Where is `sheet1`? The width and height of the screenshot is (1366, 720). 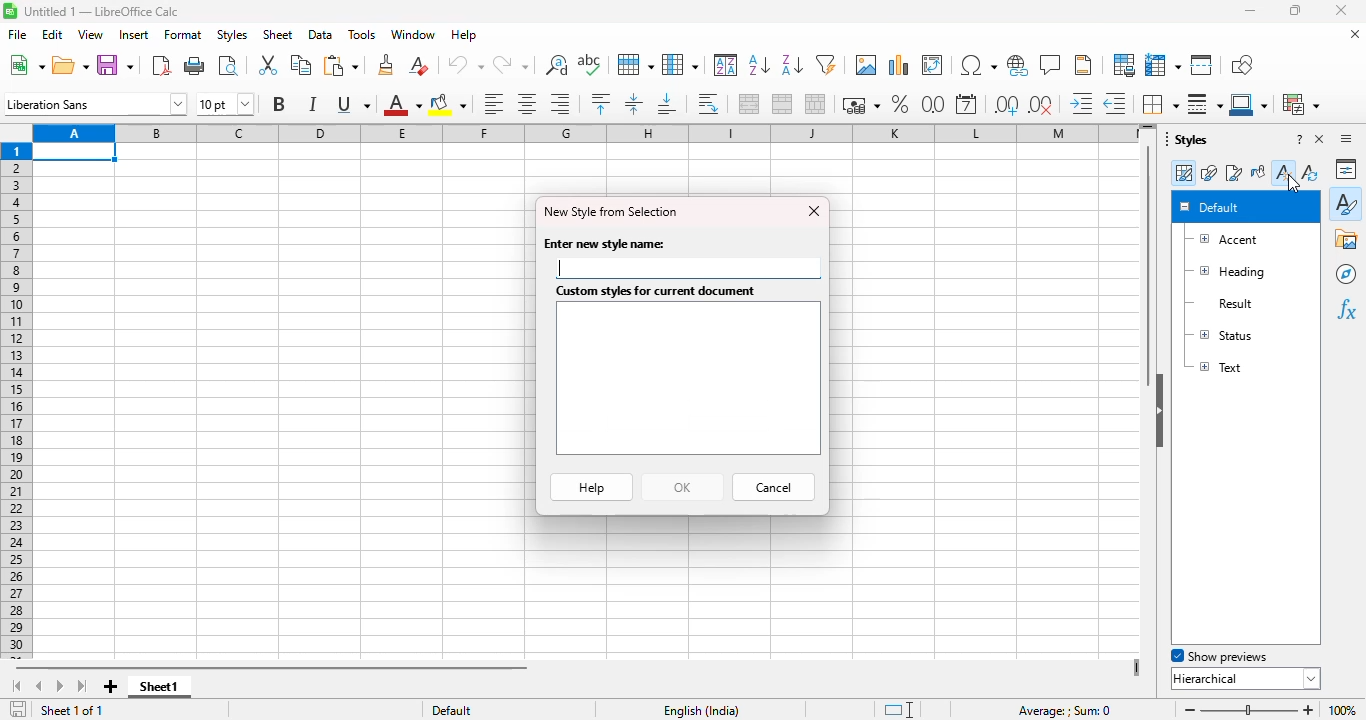 sheet1 is located at coordinates (159, 687).